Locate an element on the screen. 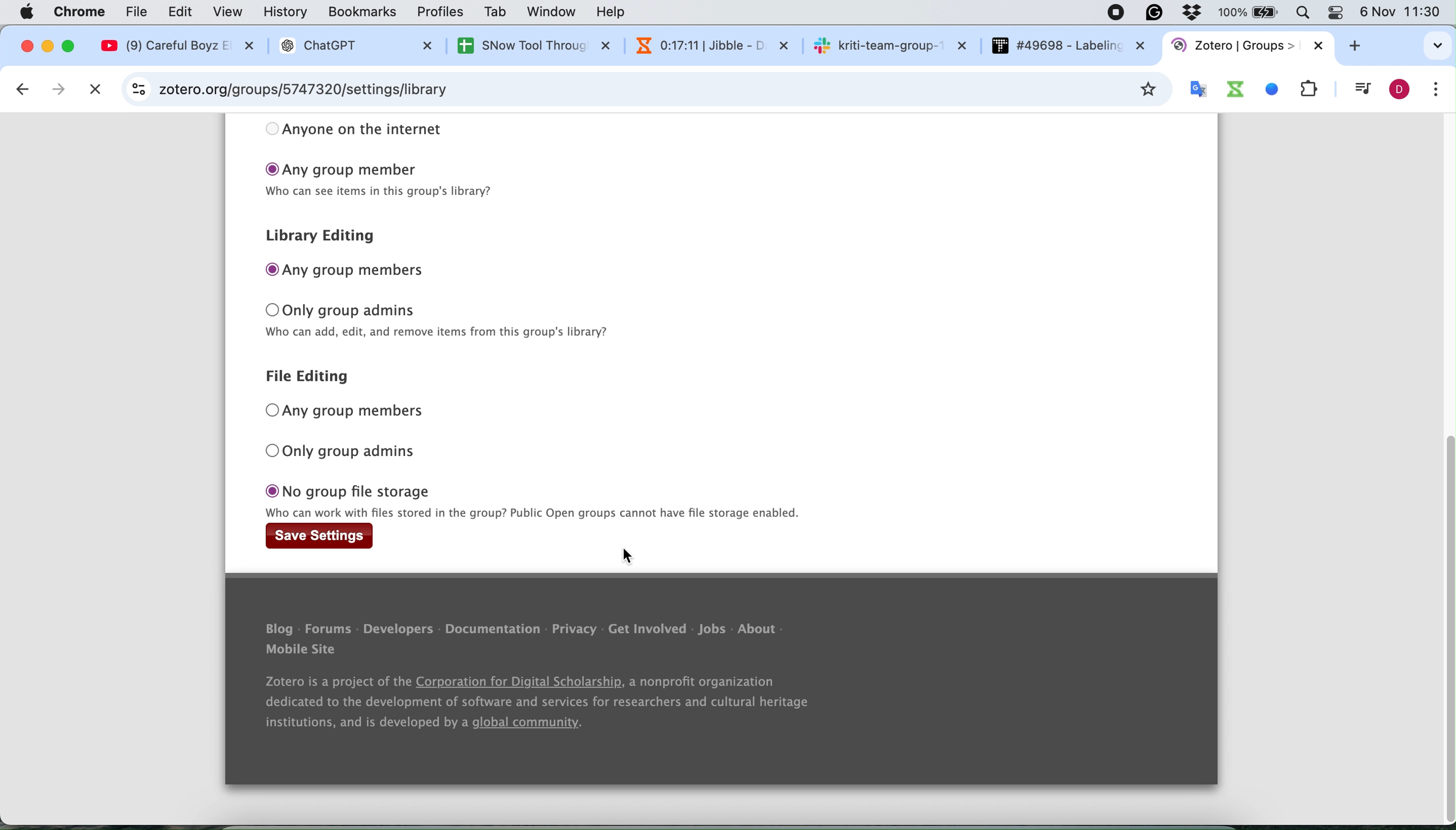 The height and width of the screenshot is (830, 1456). only group admins is located at coordinates (344, 449).